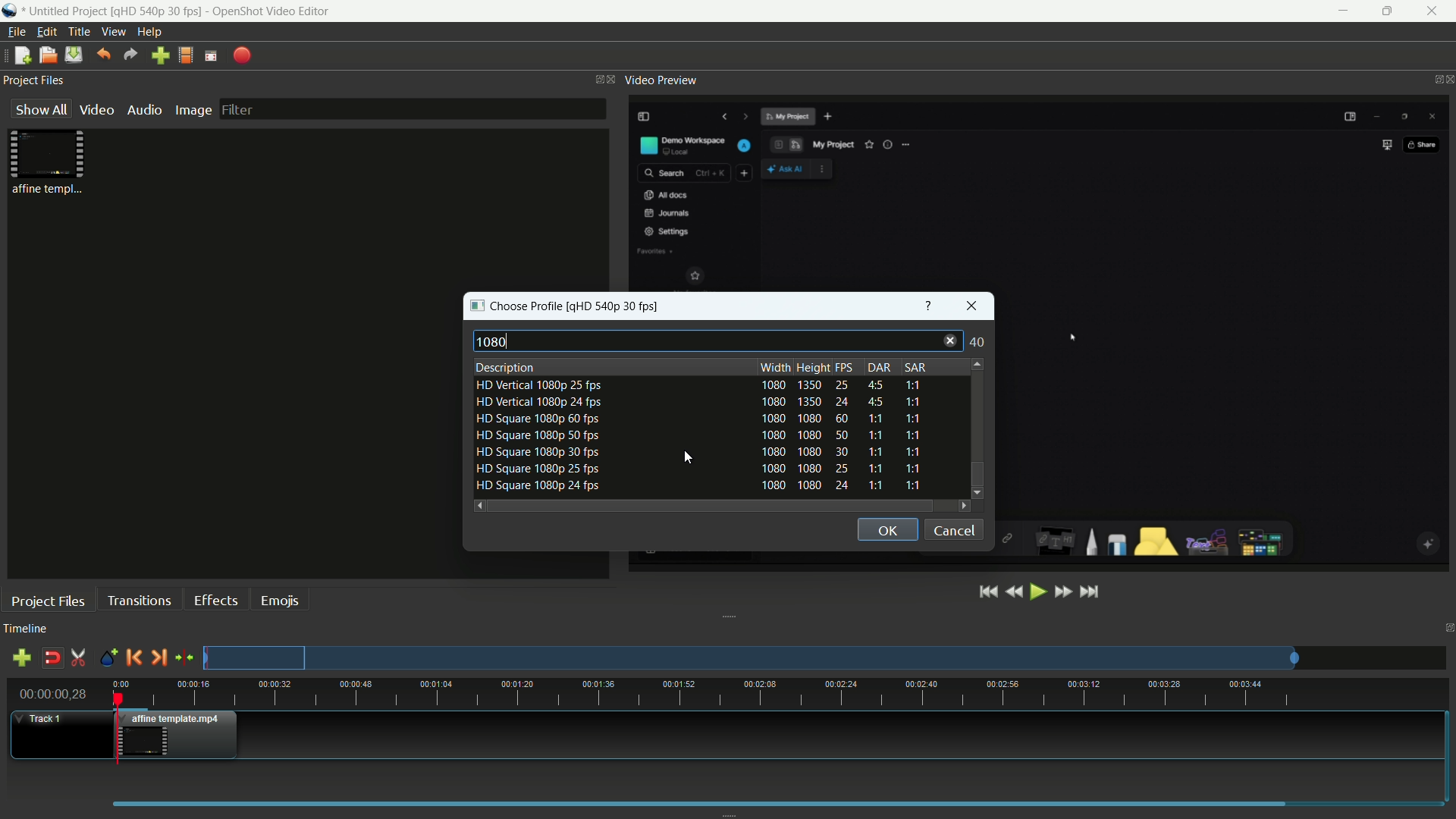 This screenshot has width=1456, height=819. Describe the element at coordinates (73, 55) in the screenshot. I see `save file` at that location.